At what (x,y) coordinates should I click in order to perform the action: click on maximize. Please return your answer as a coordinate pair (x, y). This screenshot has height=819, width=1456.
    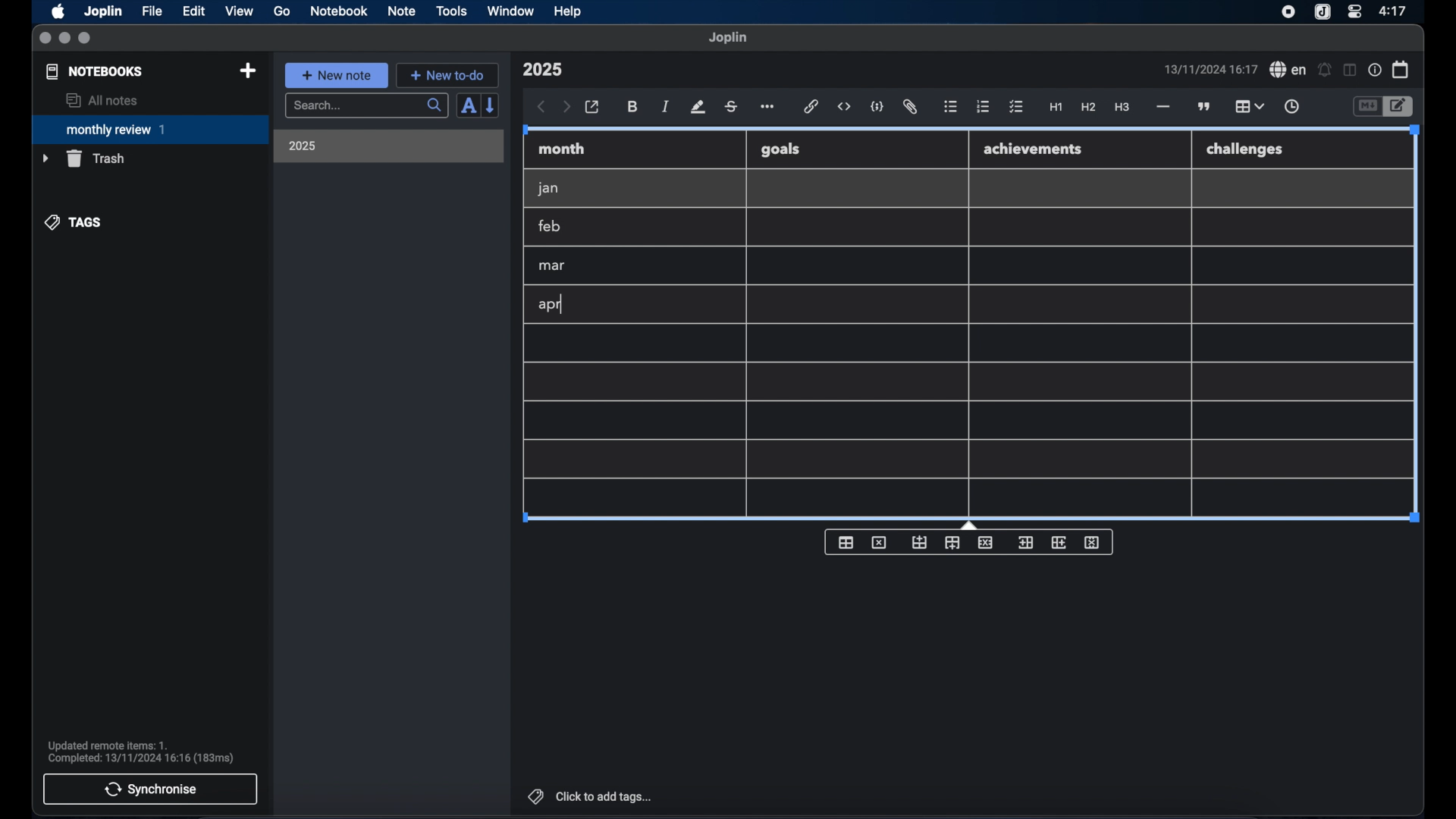
    Looking at the image, I should click on (86, 39).